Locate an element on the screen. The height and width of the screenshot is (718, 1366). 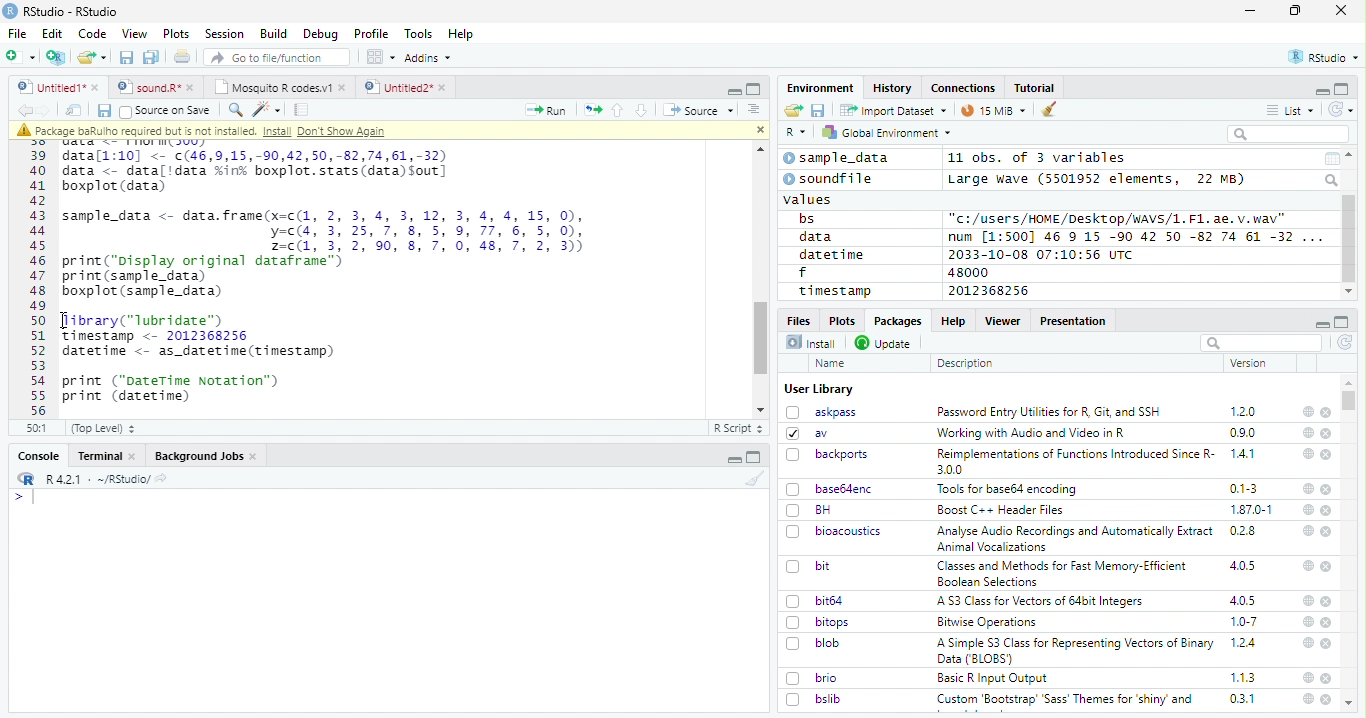
clear workspace is located at coordinates (751, 478).